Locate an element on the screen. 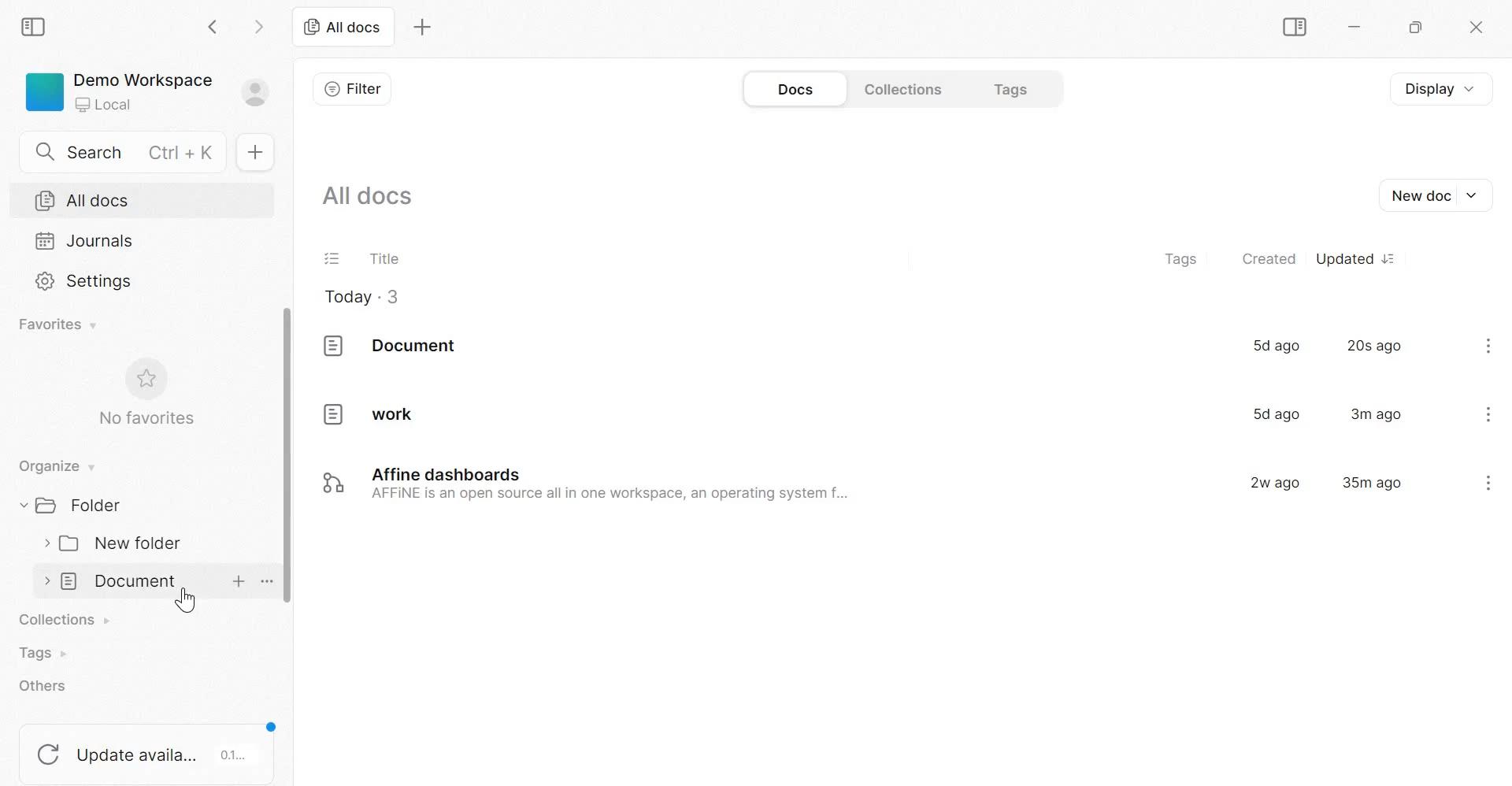 The width and height of the screenshot is (1512, 786). kebab menu is located at coordinates (1489, 346).